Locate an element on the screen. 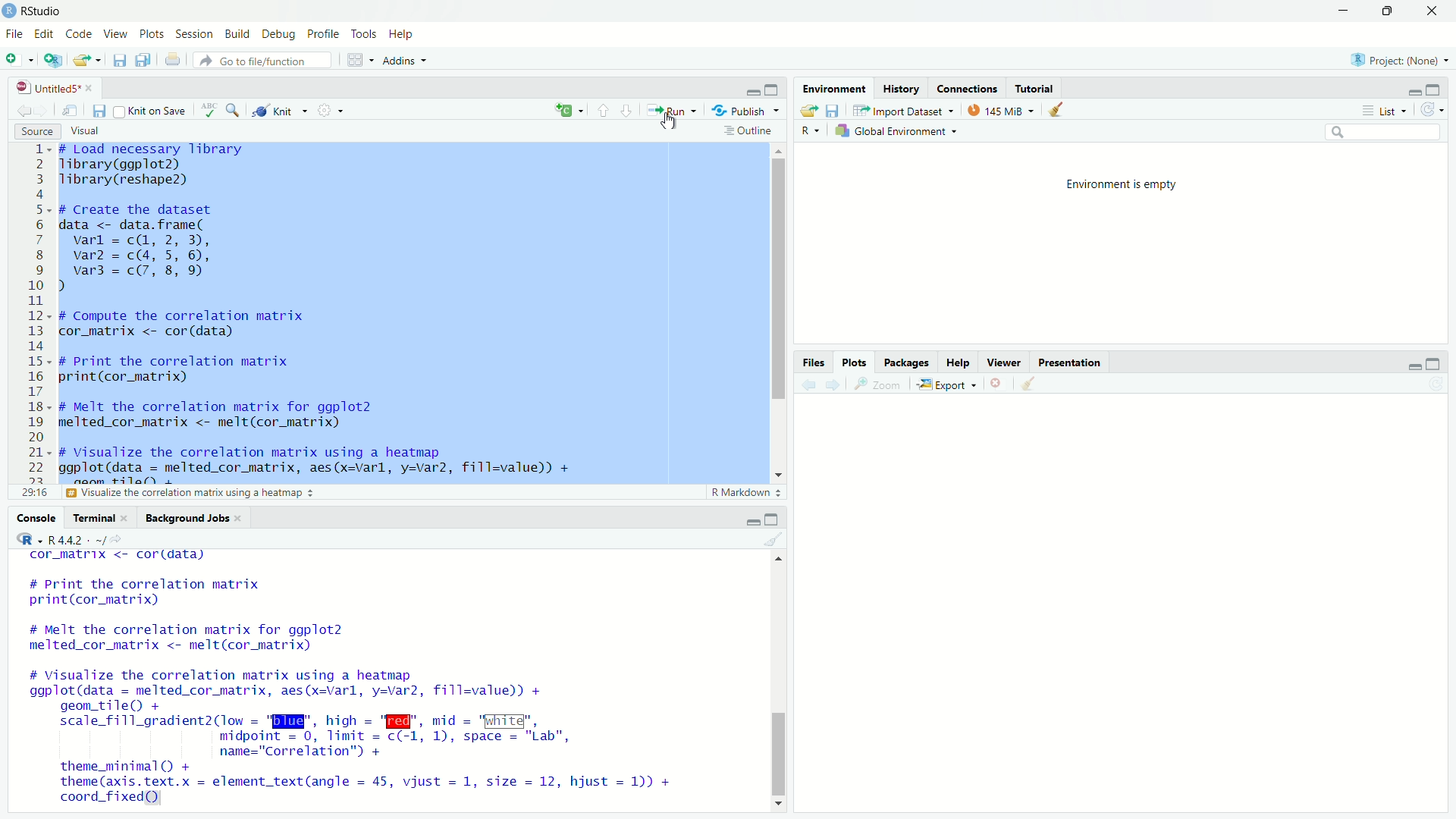 Image resolution: width=1456 pixels, height=819 pixels. memory usage is located at coordinates (999, 110).